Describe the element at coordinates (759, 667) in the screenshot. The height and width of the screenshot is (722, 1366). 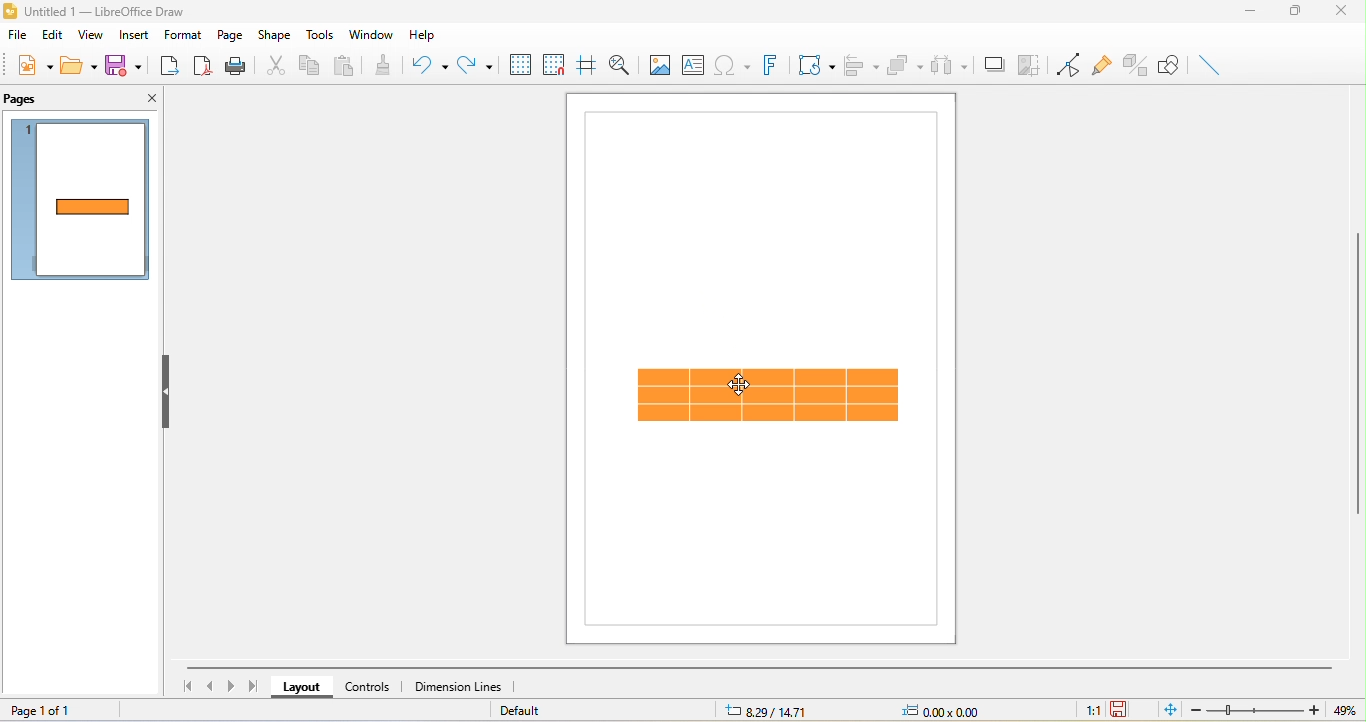
I see `horizontal scroll bar` at that location.